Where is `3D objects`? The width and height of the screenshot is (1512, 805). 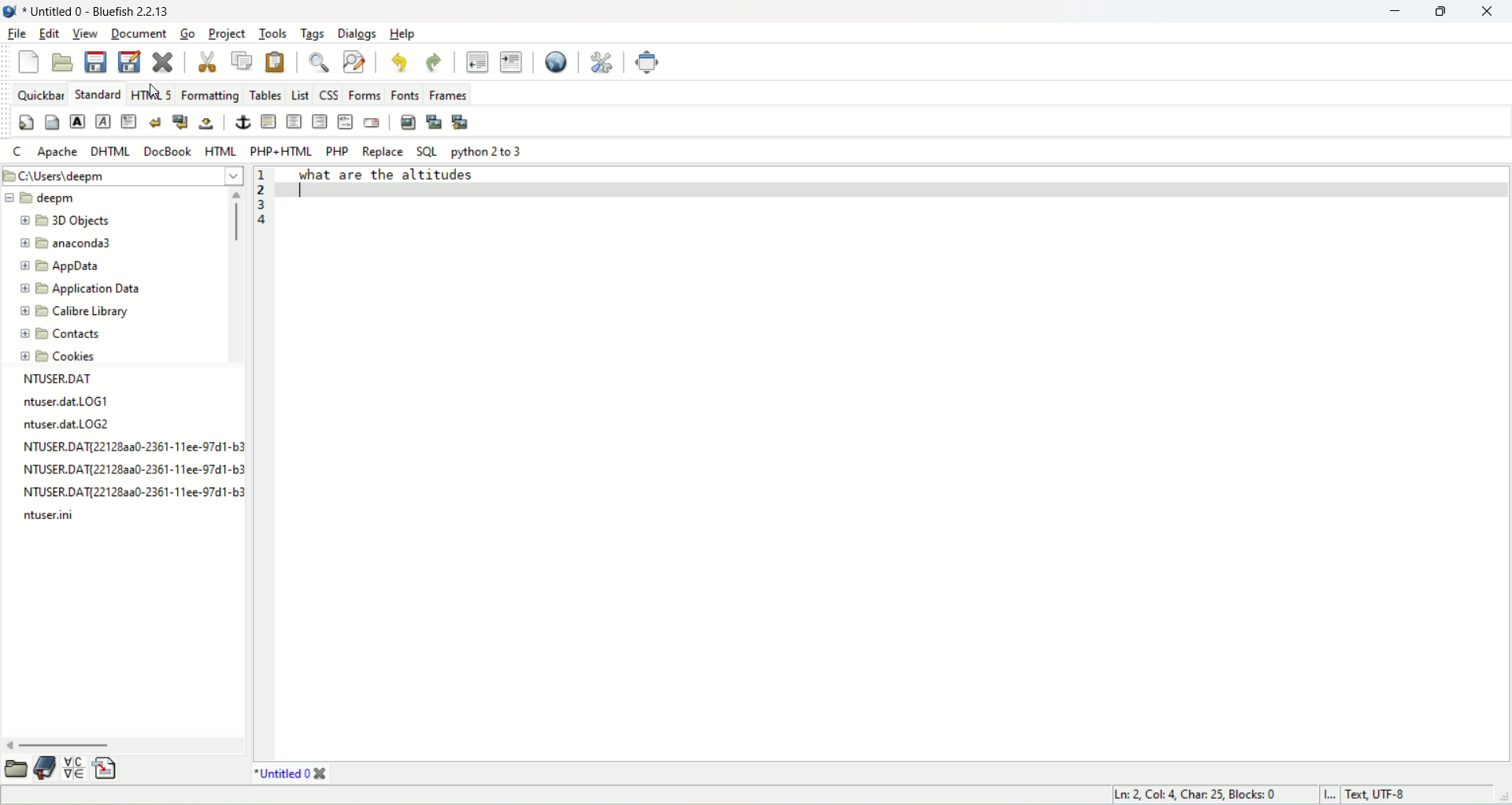
3D objects is located at coordinates (70, 222).